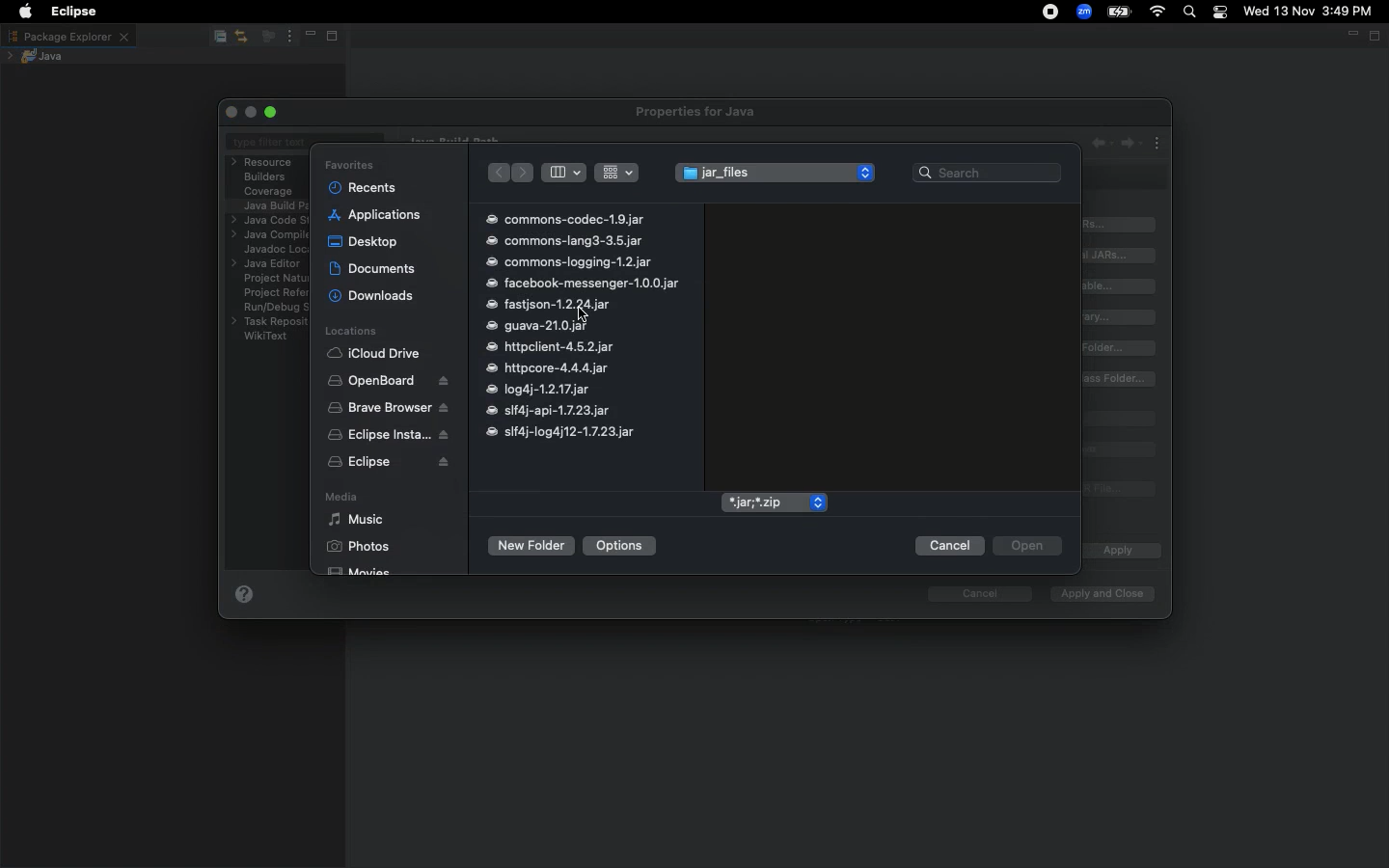 Image resolution: width=1389 pixels, height=868 pixels. I want to click on Brave browser, so click(388, 408).